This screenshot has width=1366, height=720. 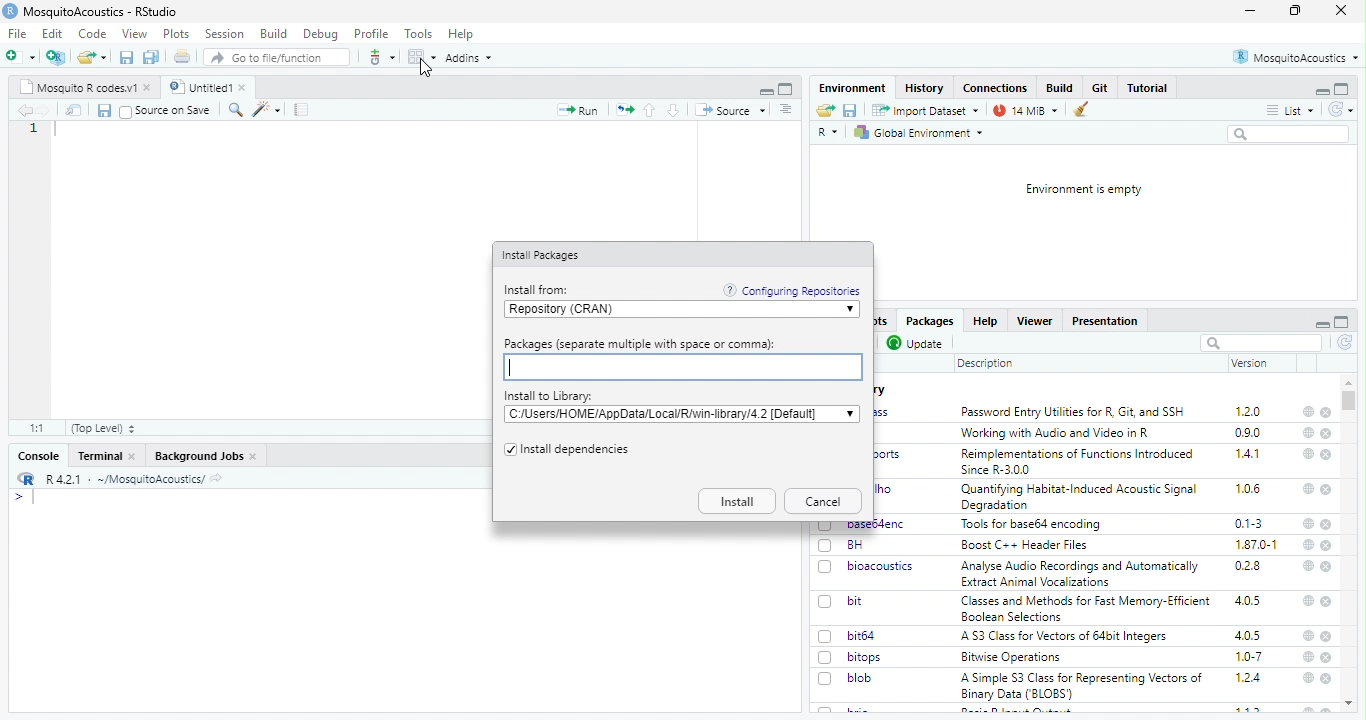 I want to click on 405, so click(x=1249, y=601).